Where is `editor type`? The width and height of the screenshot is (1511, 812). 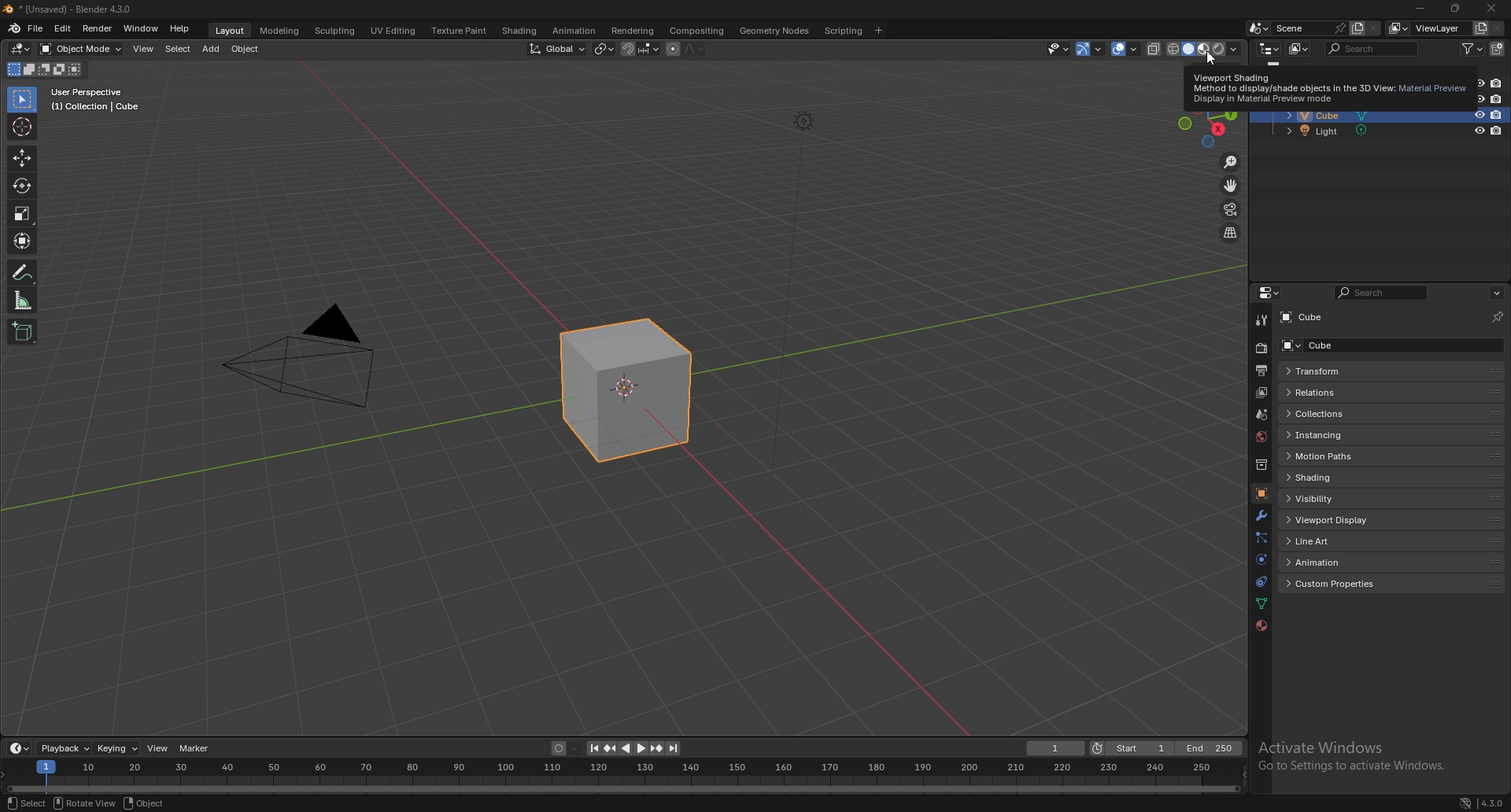 editor type is located at coordinates (1271, 293).